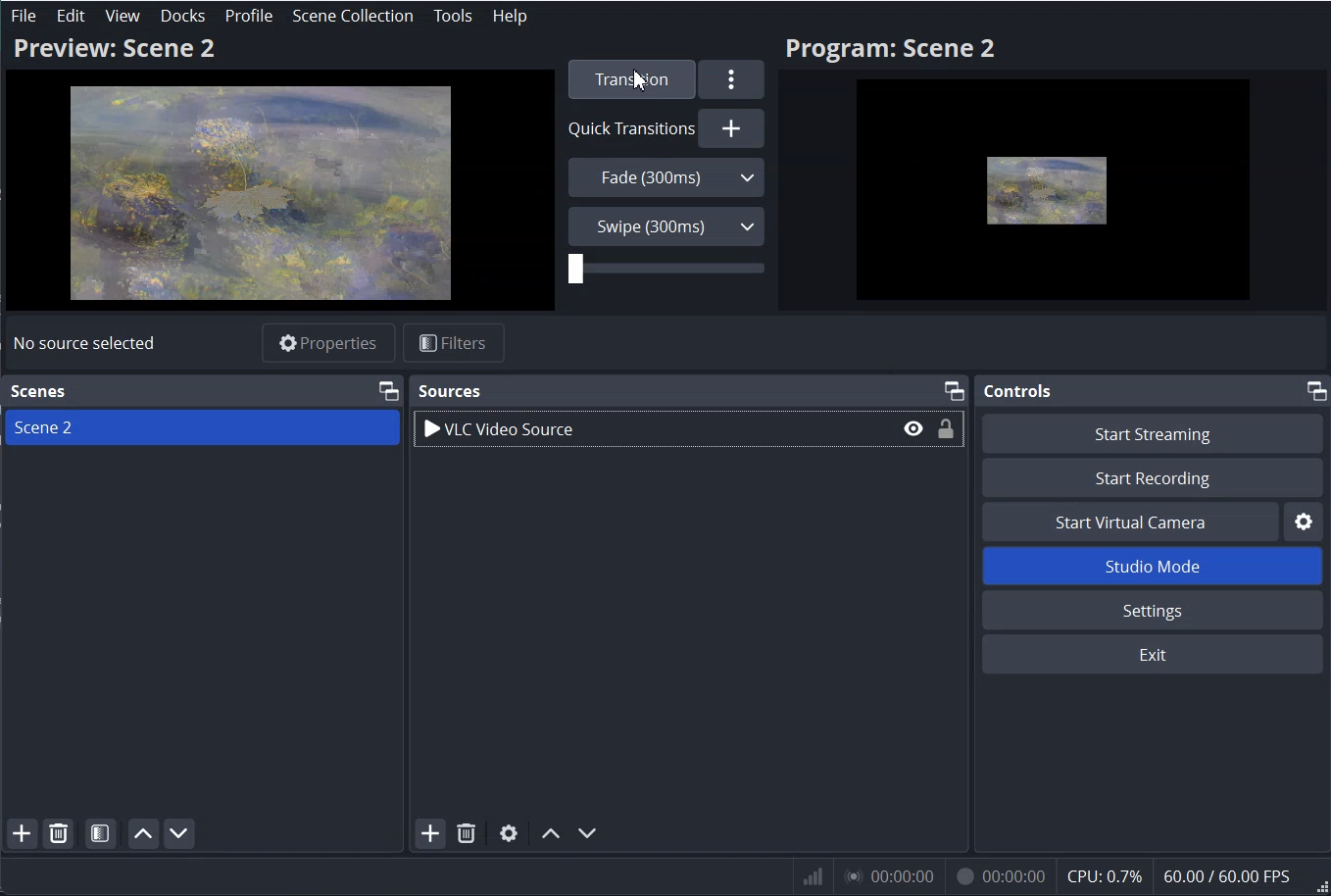  Describe the element at coordinates (652, 427) in the screenshot. I see `VLC Video Source` at that location.